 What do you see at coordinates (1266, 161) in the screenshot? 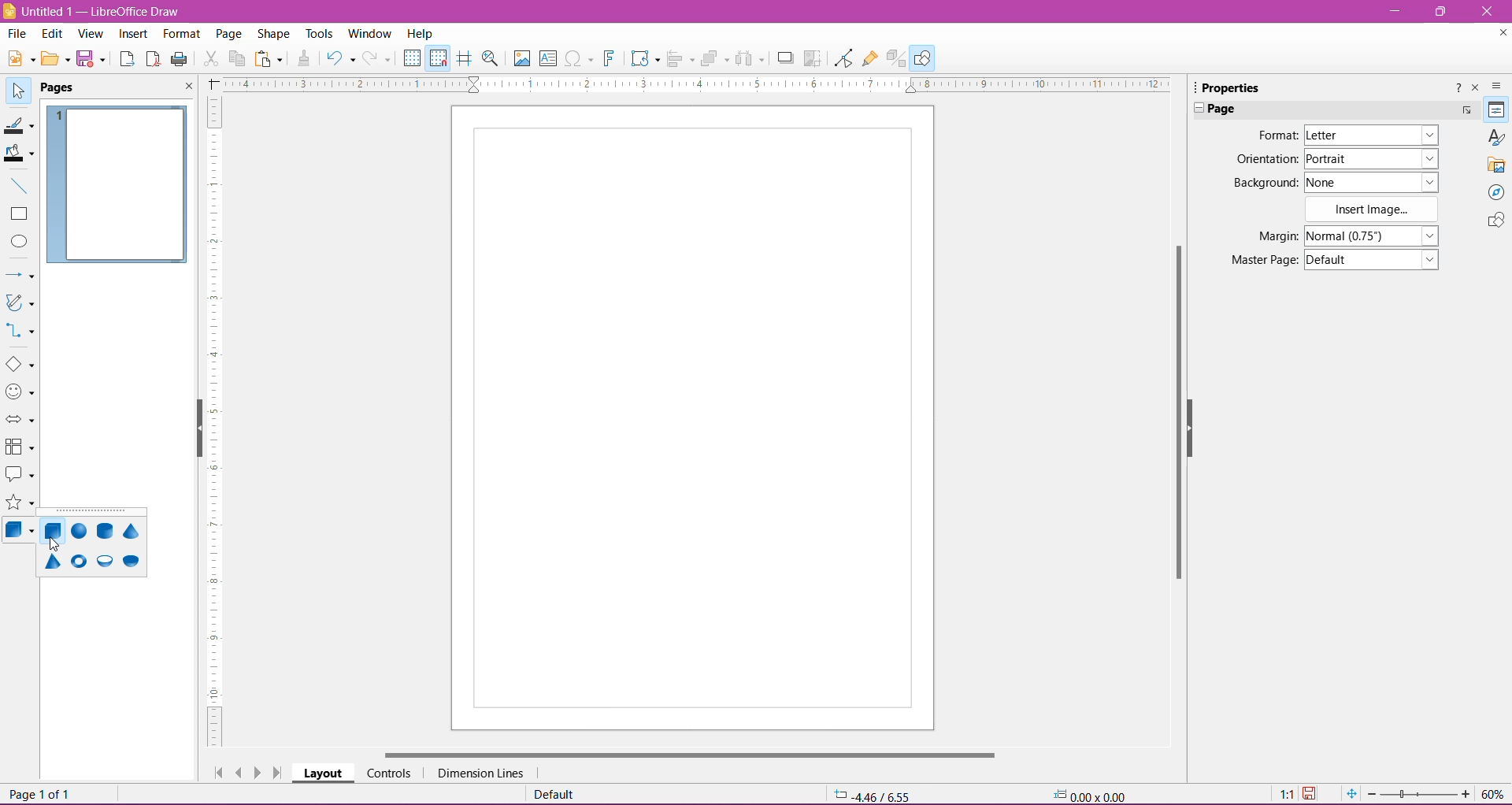
I see `Orientation` at bounding box center [1266, 161].